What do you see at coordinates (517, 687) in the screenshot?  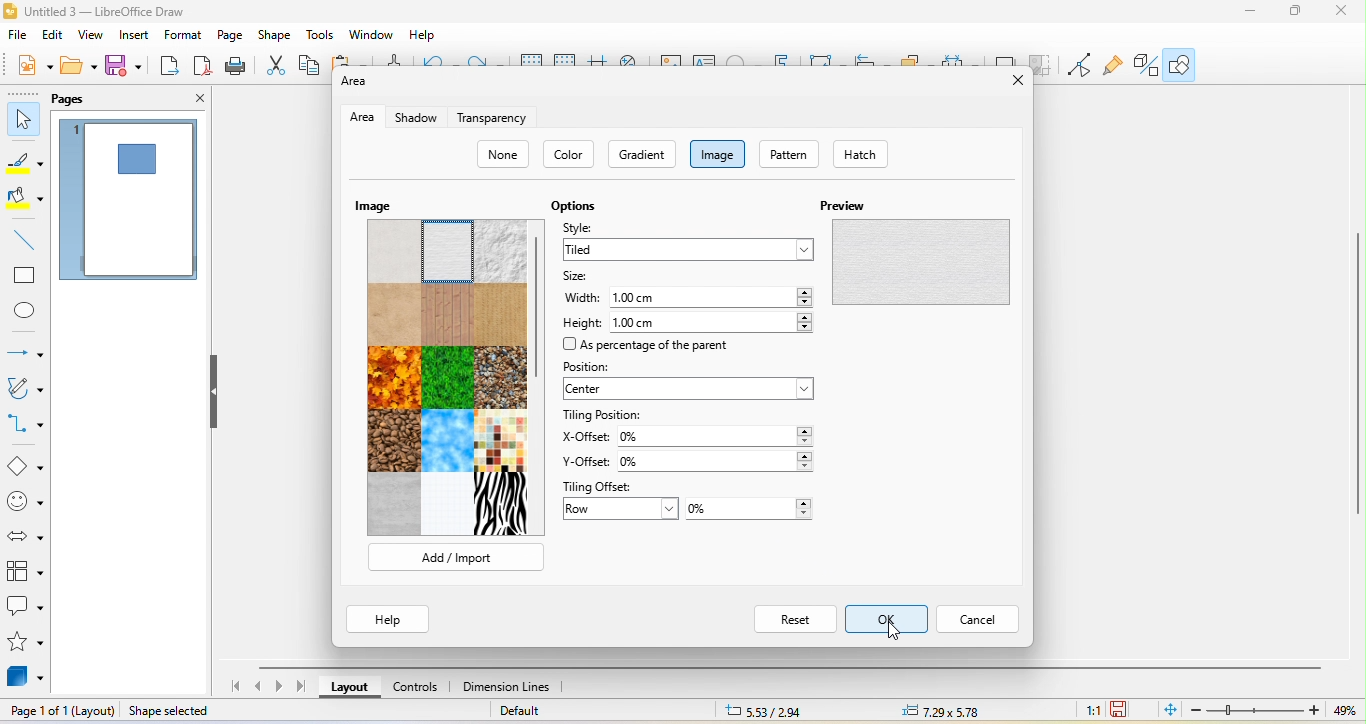 I see `dimension lines` at bounding box center [517, 687].